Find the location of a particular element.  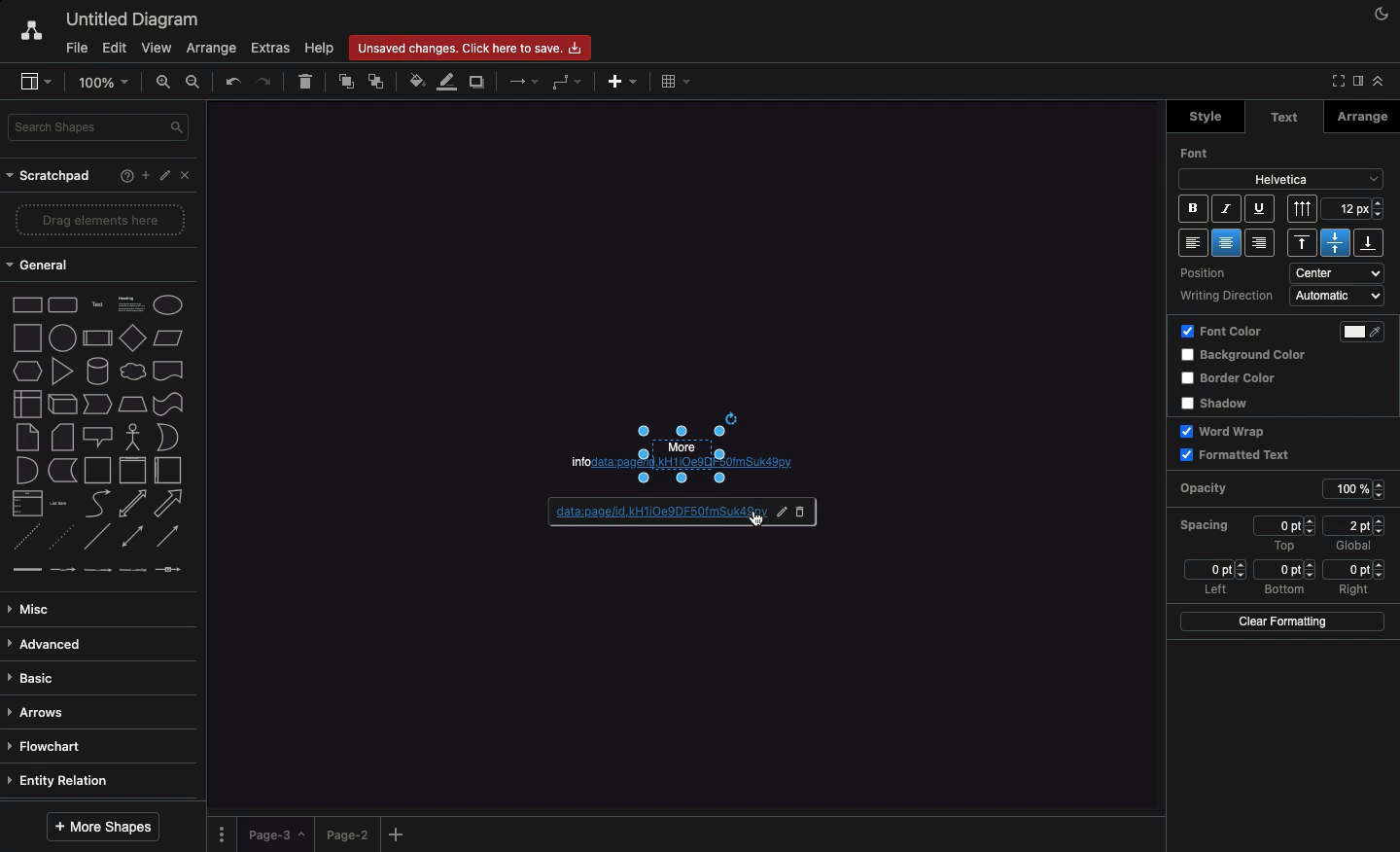

actor is located at coordinates (131, 438).